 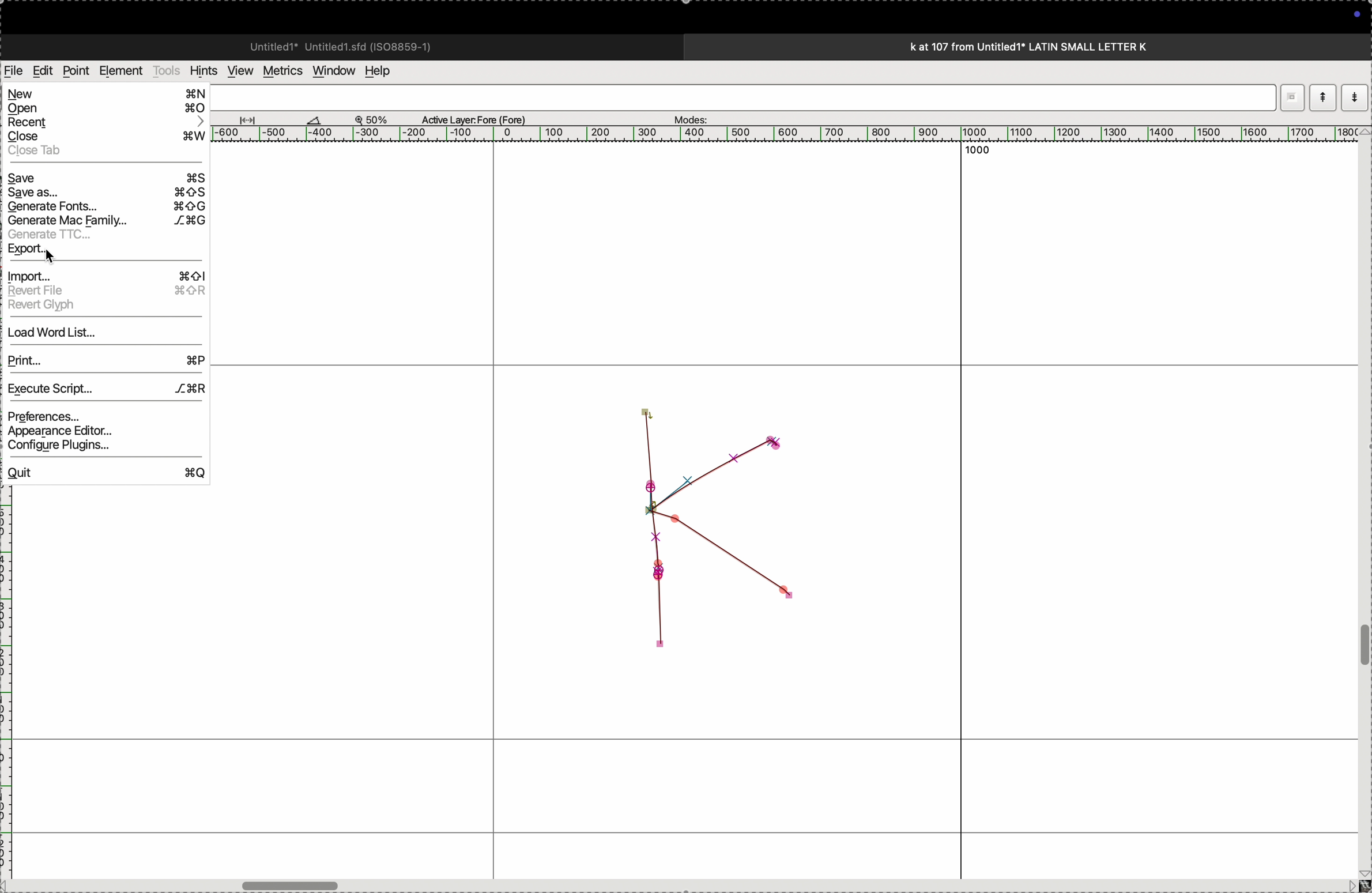 I want to click on title, so click(x=1060, y=46).